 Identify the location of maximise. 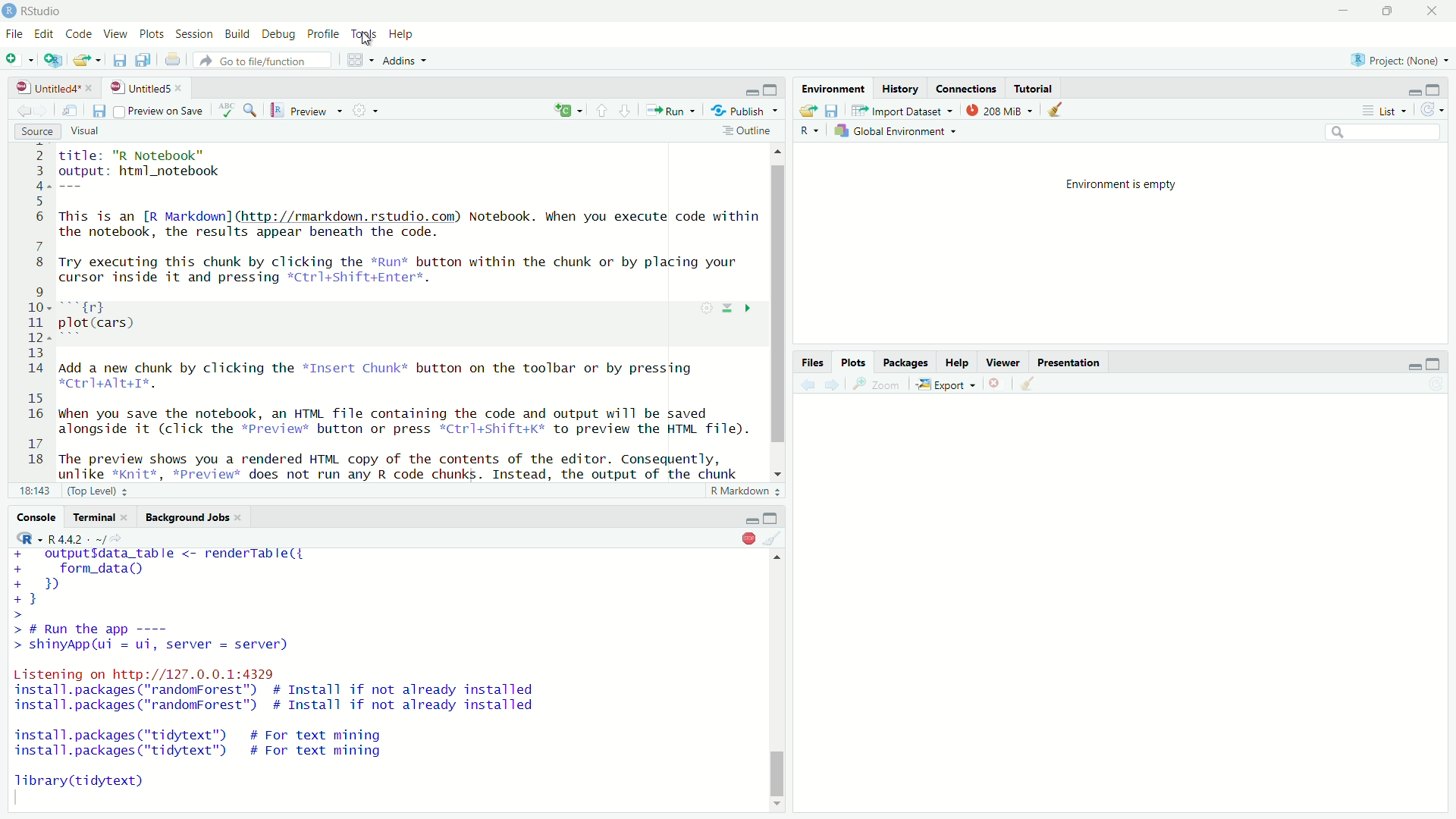
(1385, 11).